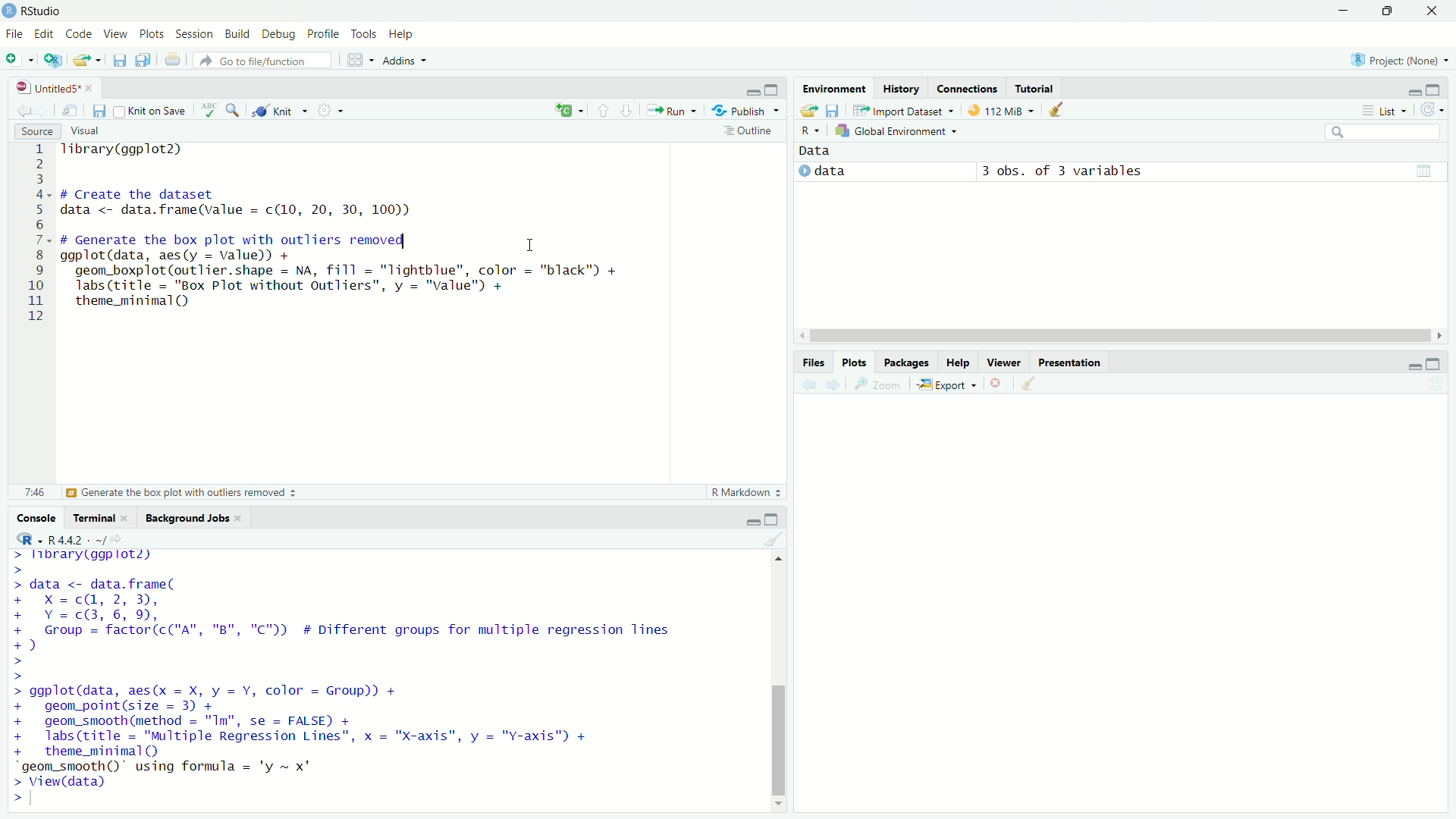  Describe the element at coordinates (36, 233) in the screenshot. I see `1
2
g
4.
5
6
7
8
9
10
11
12` at that location.